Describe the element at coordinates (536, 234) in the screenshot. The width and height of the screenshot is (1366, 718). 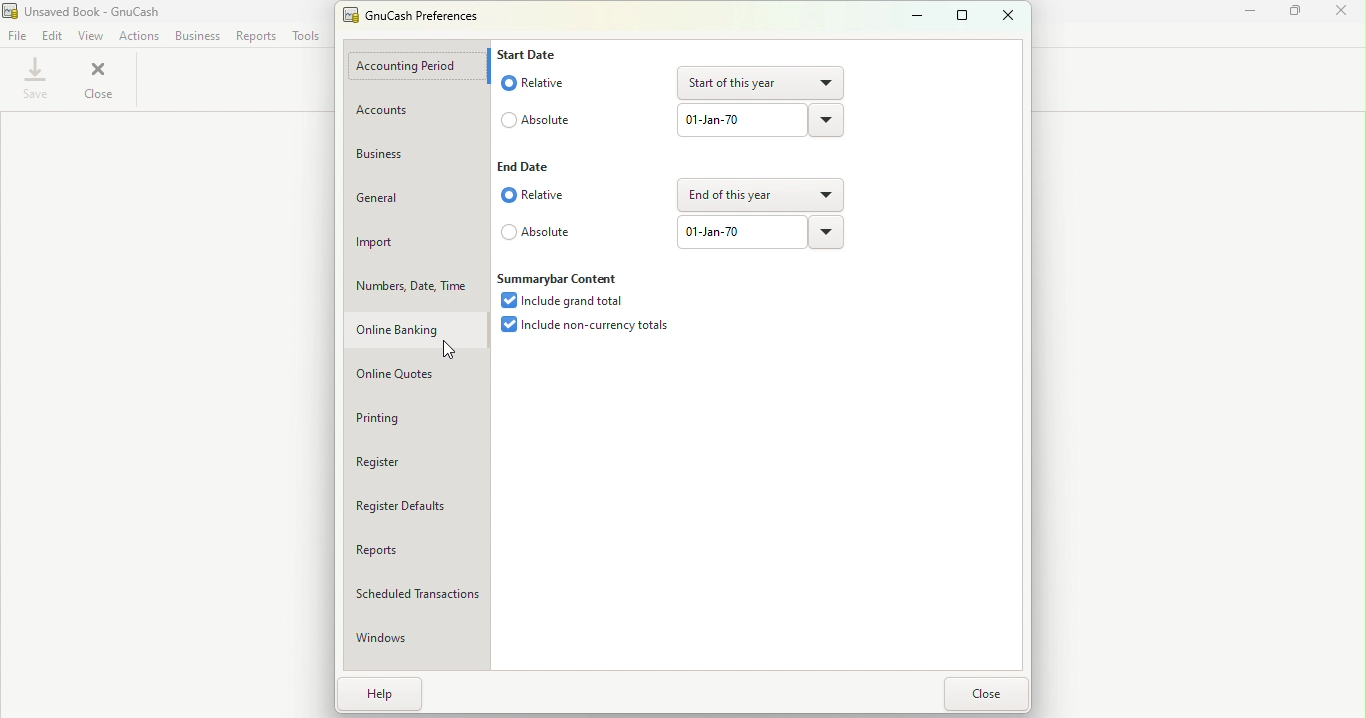
I see `Absolute` at that location.